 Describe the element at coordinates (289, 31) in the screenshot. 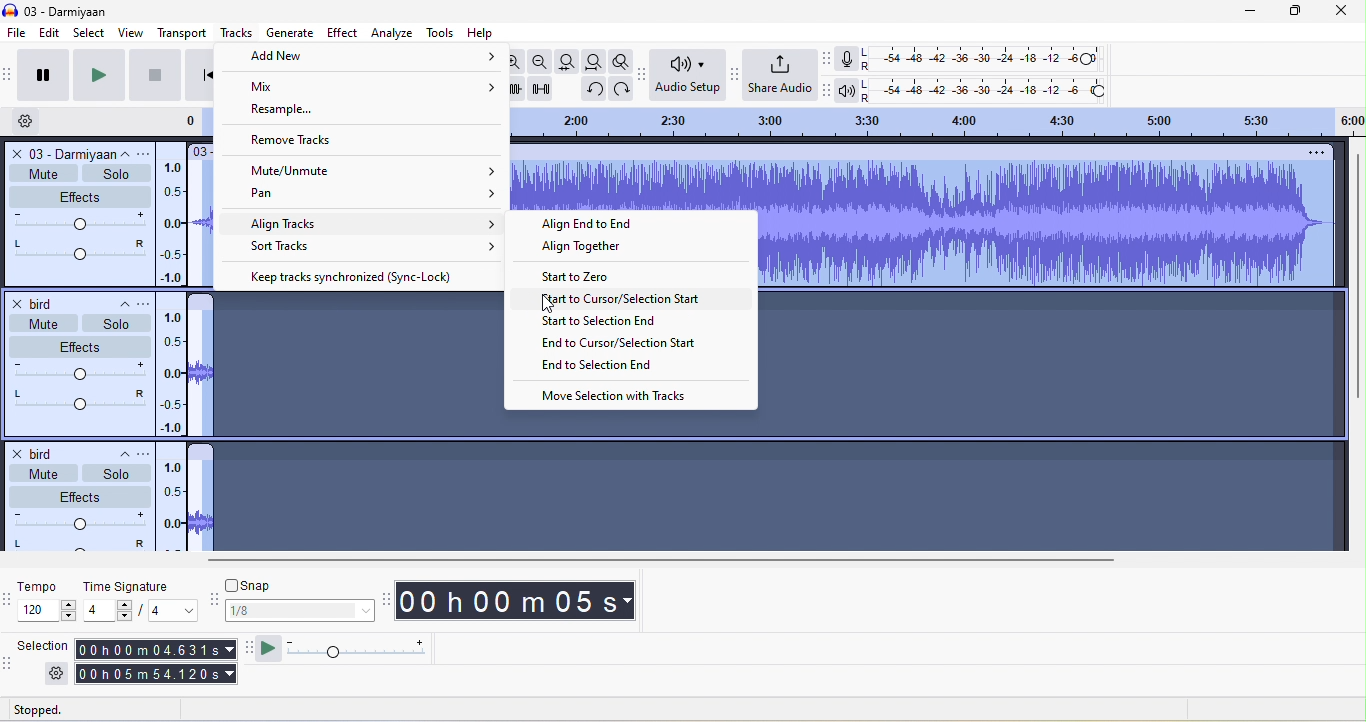

I see `generate` at that location.